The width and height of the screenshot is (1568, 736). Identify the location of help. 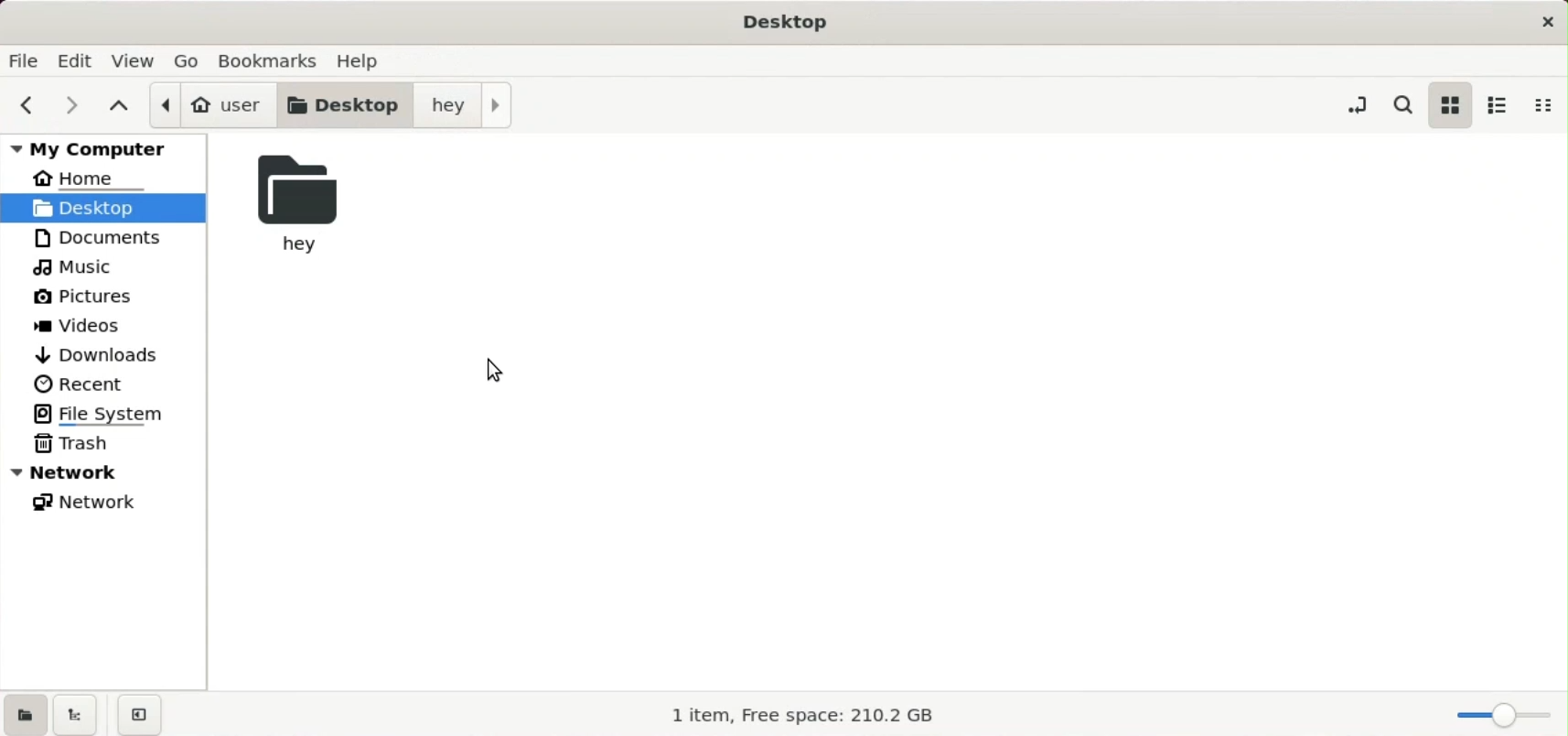
(363, 58).